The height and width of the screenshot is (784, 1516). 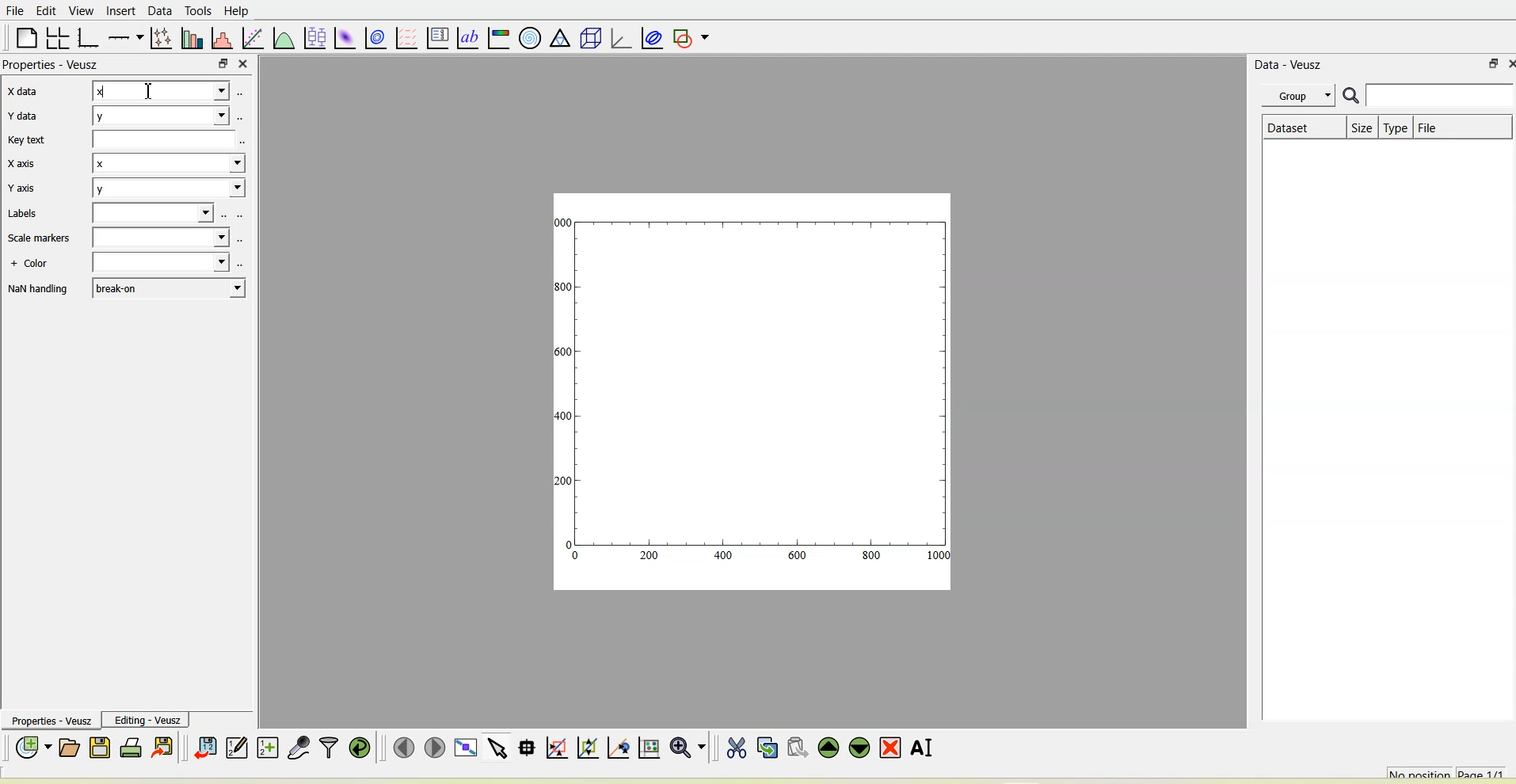 I want to click on Data - Veusz, so click(x=1289, y=63).